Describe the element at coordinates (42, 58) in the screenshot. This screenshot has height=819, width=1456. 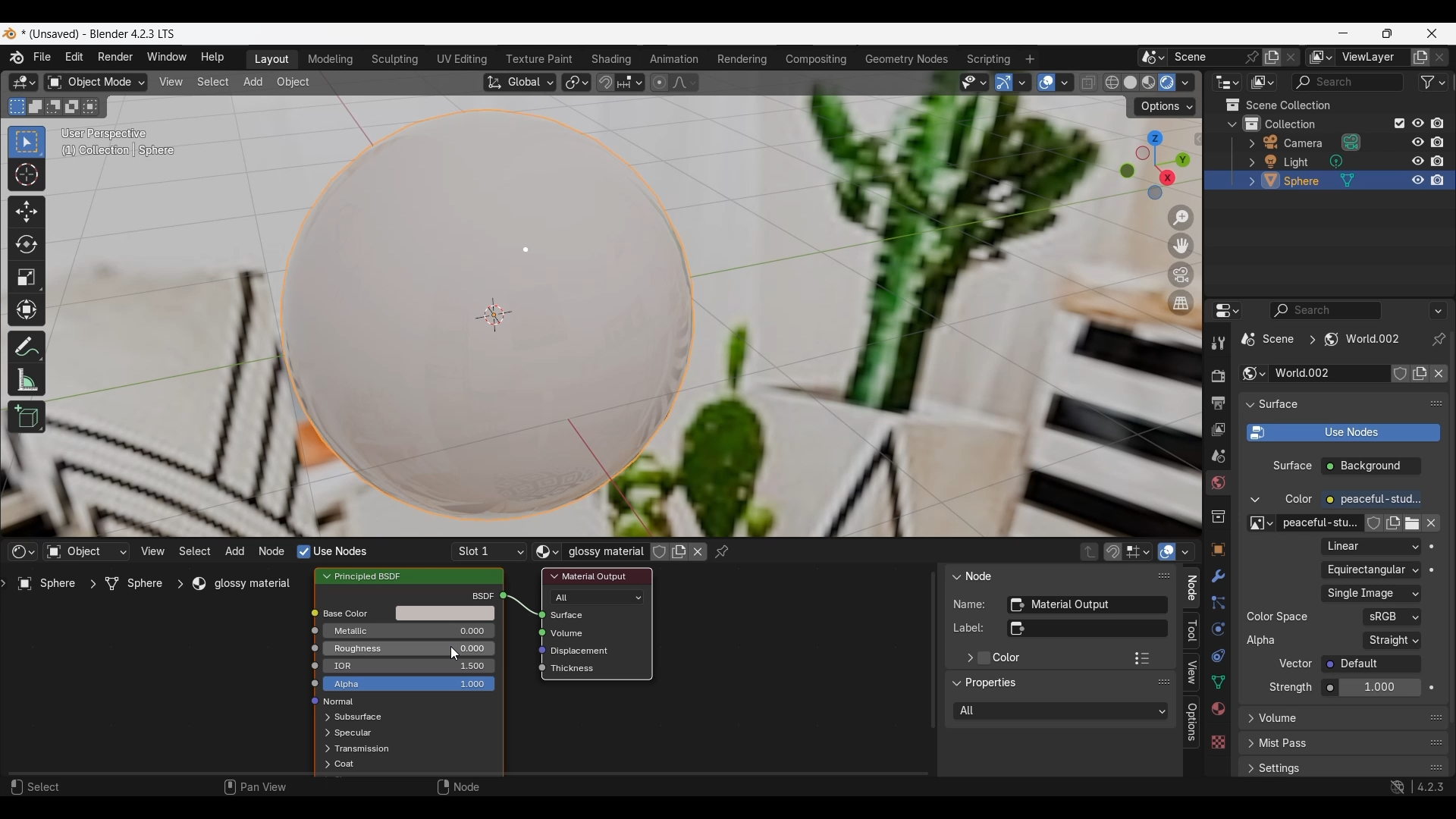
I see `File menu` at that location.